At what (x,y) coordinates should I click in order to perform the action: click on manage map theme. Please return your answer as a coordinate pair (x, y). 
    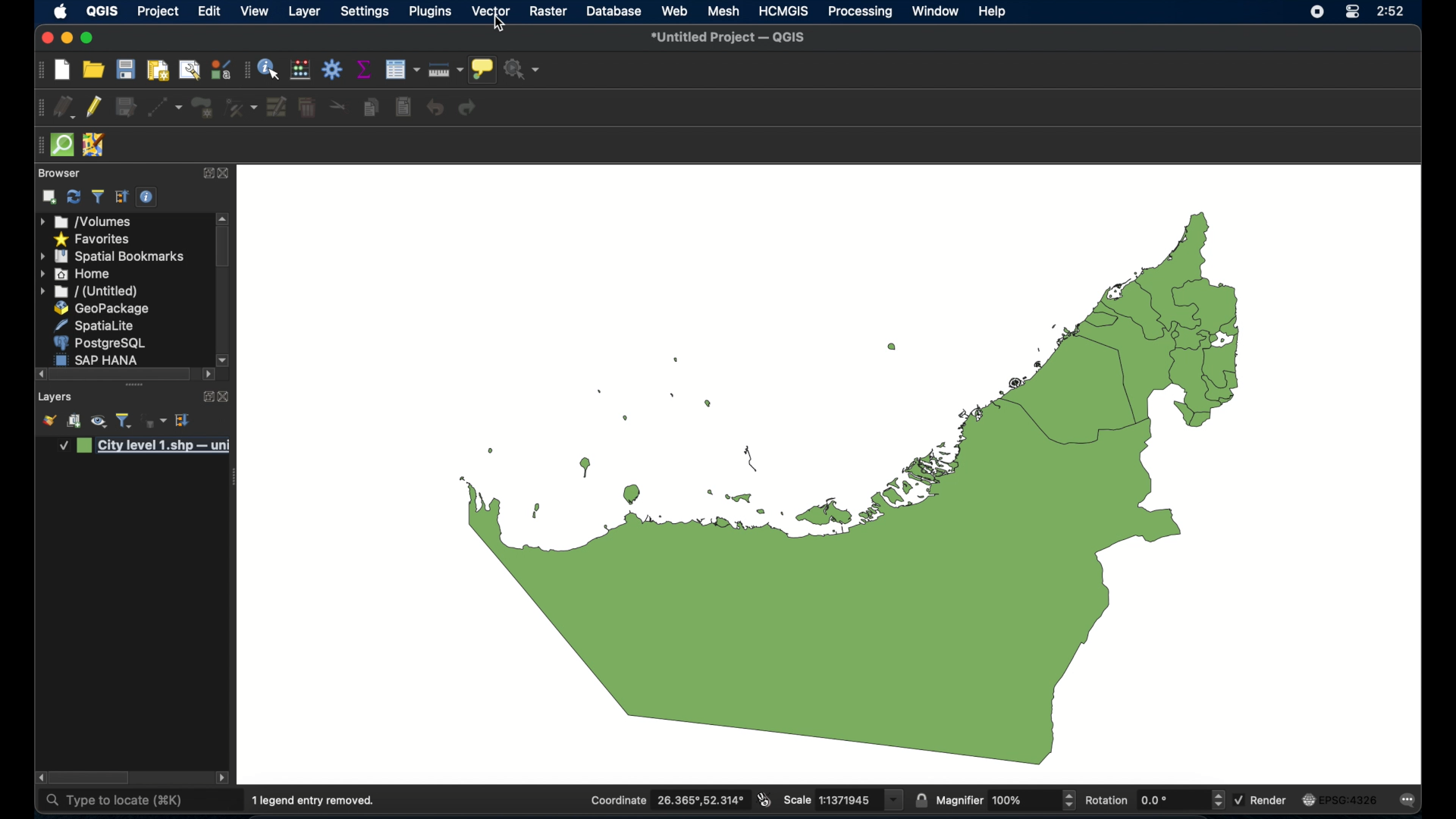
    Looking at the image, I should click on (98, 423).